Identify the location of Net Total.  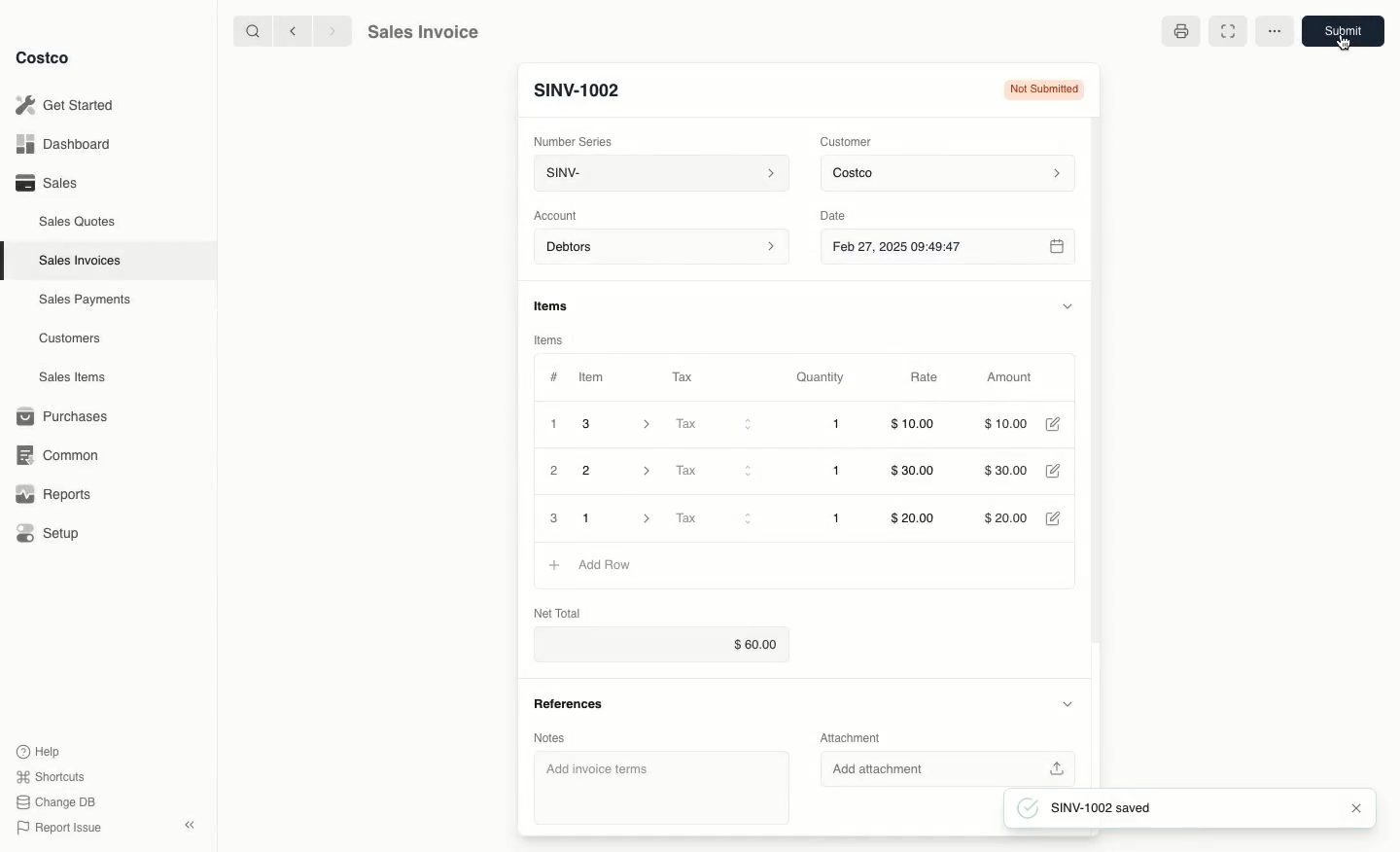
(561, 611).